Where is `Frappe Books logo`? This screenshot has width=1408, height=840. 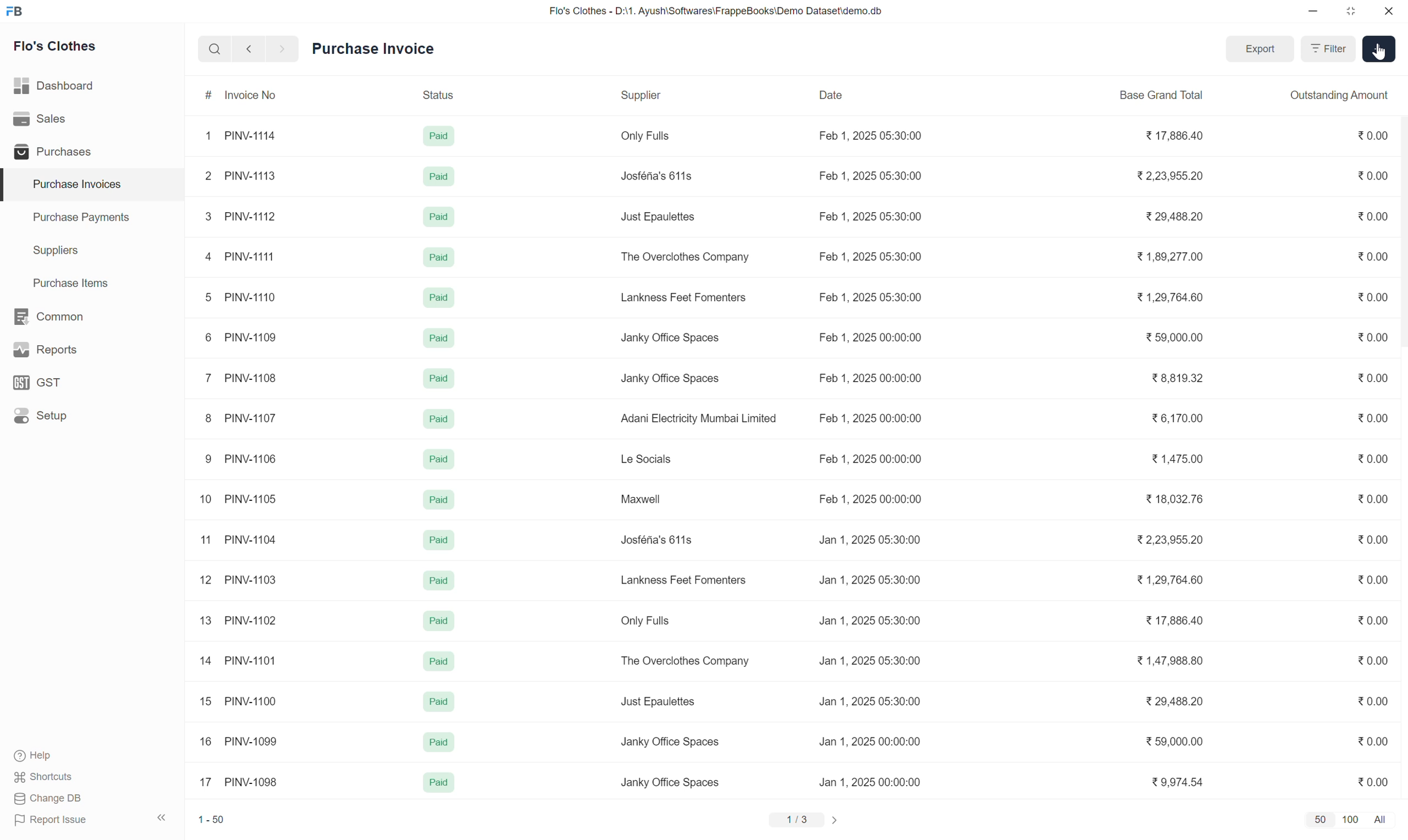 Frappe Books logo is located at coordinates (14, 11).